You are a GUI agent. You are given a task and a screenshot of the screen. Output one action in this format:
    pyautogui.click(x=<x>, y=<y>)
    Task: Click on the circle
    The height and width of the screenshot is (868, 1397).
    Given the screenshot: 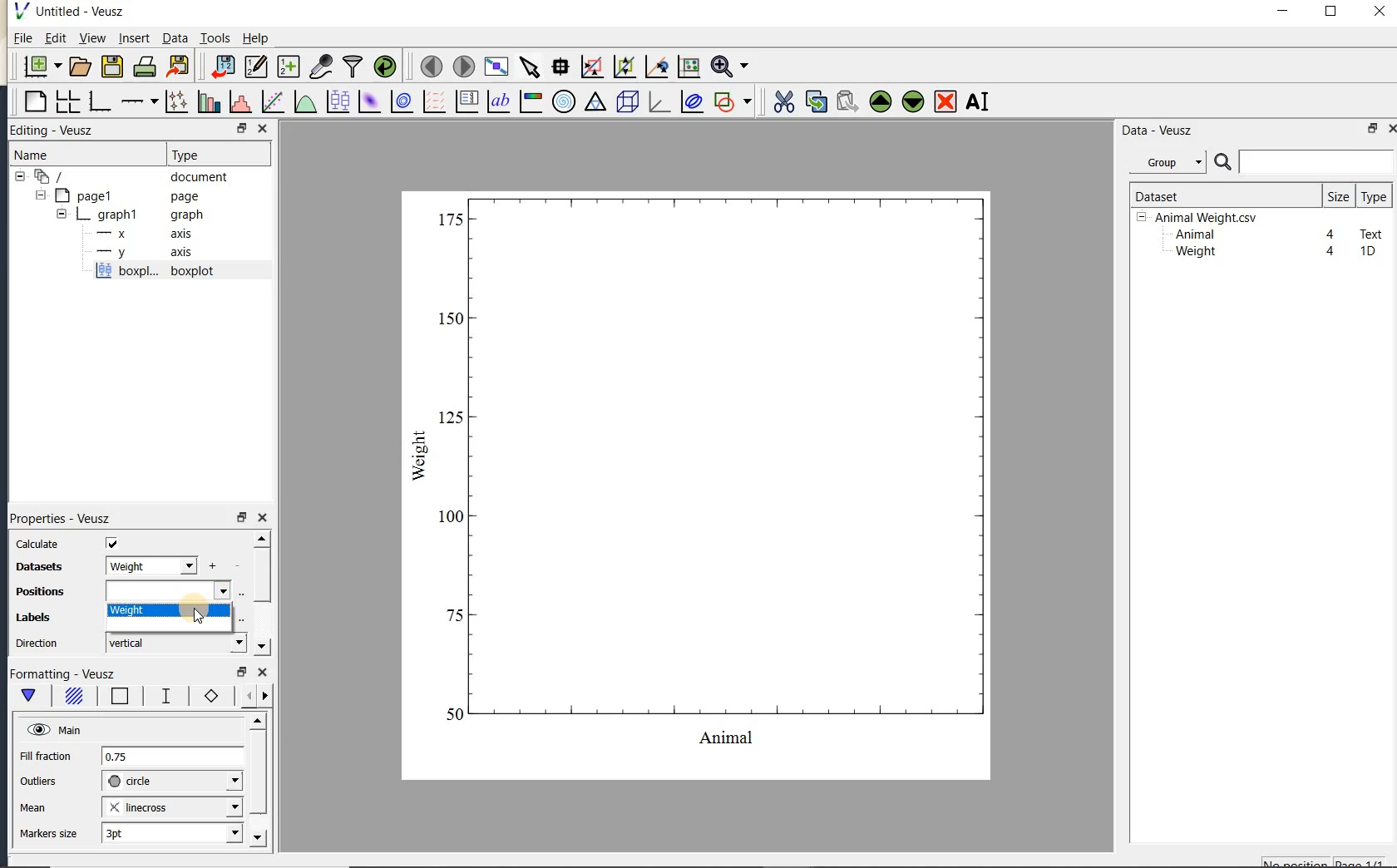 What is the action you would take?
    pyautogui.click(x=172, y=782)
    